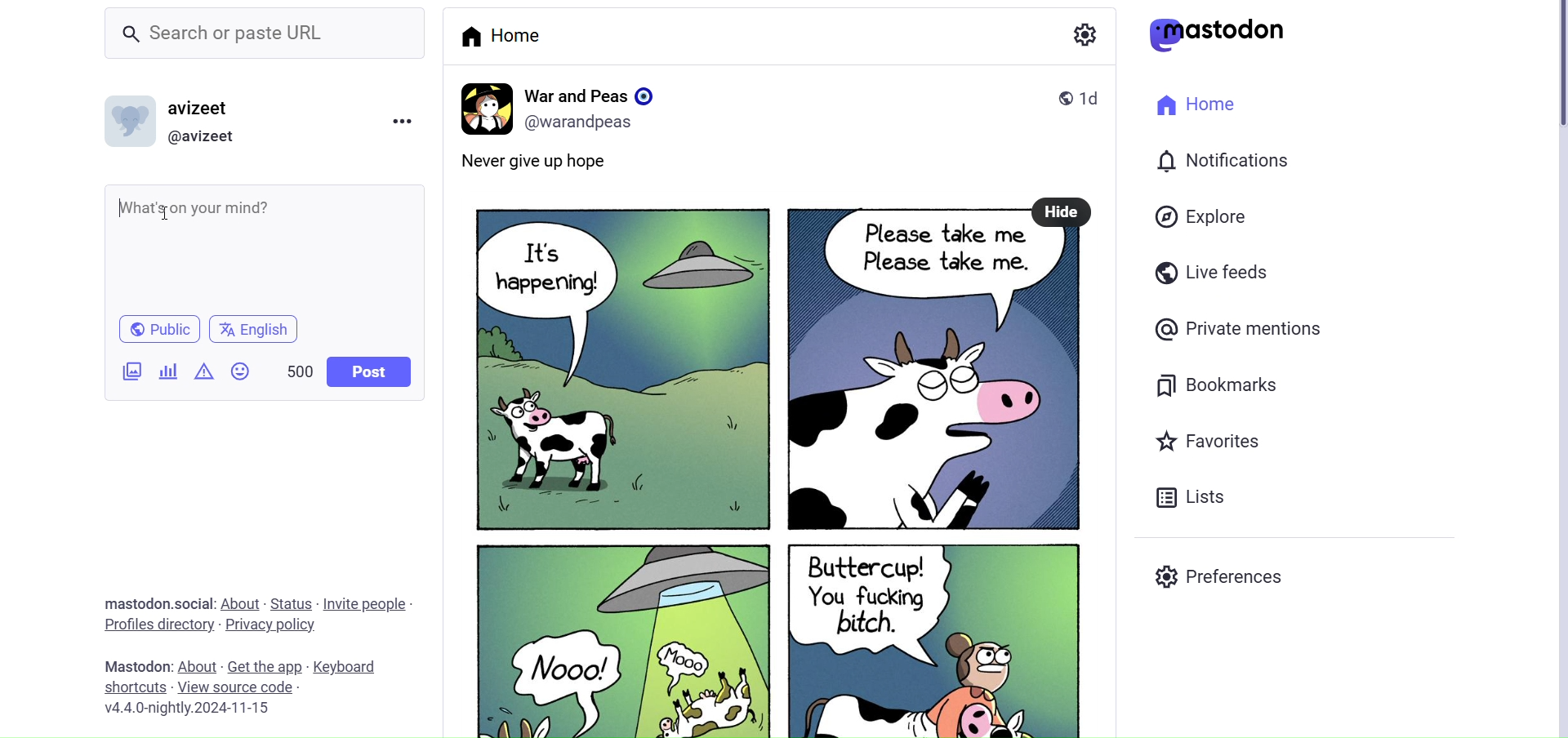 The height and width of the screenshot is (738, 1568). What do you see at coordinates (370, 603) in the screenshot?
I see `Invite People` at bounding box center [370, 603].